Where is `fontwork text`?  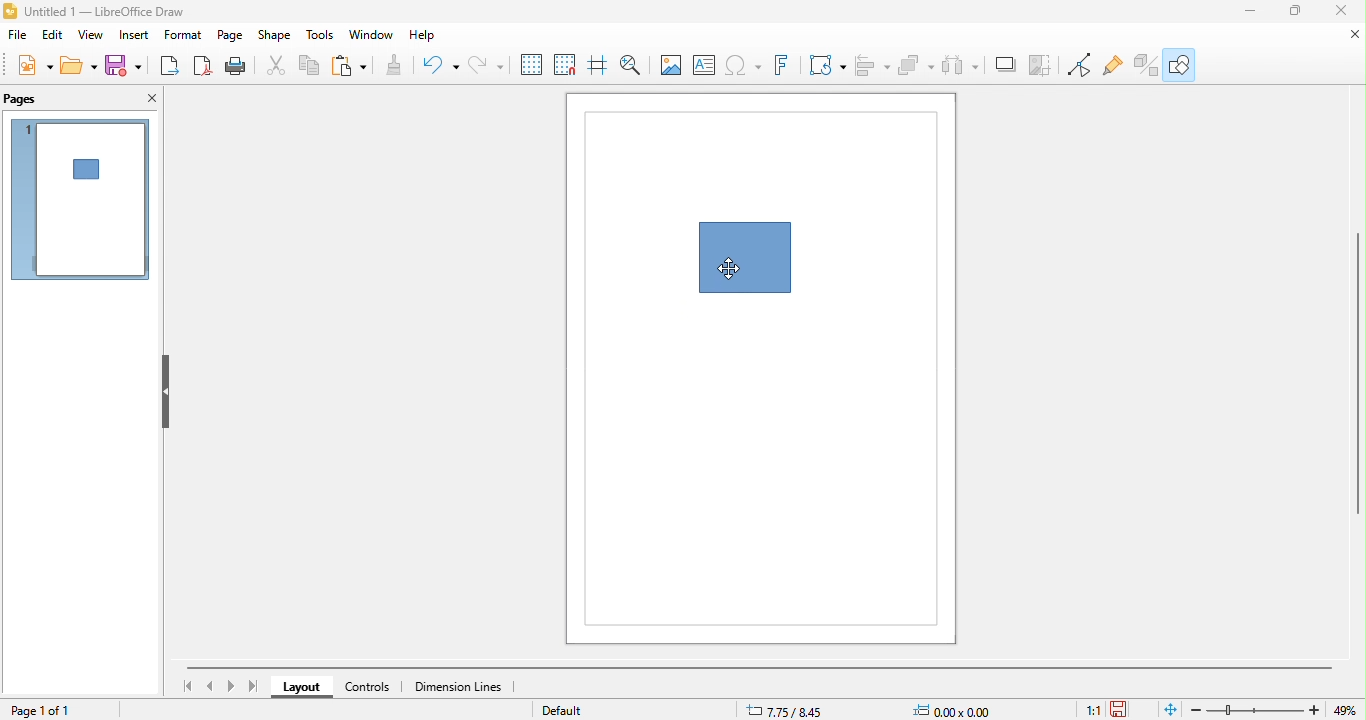
fontwork text is located at coordinates (785, 65).